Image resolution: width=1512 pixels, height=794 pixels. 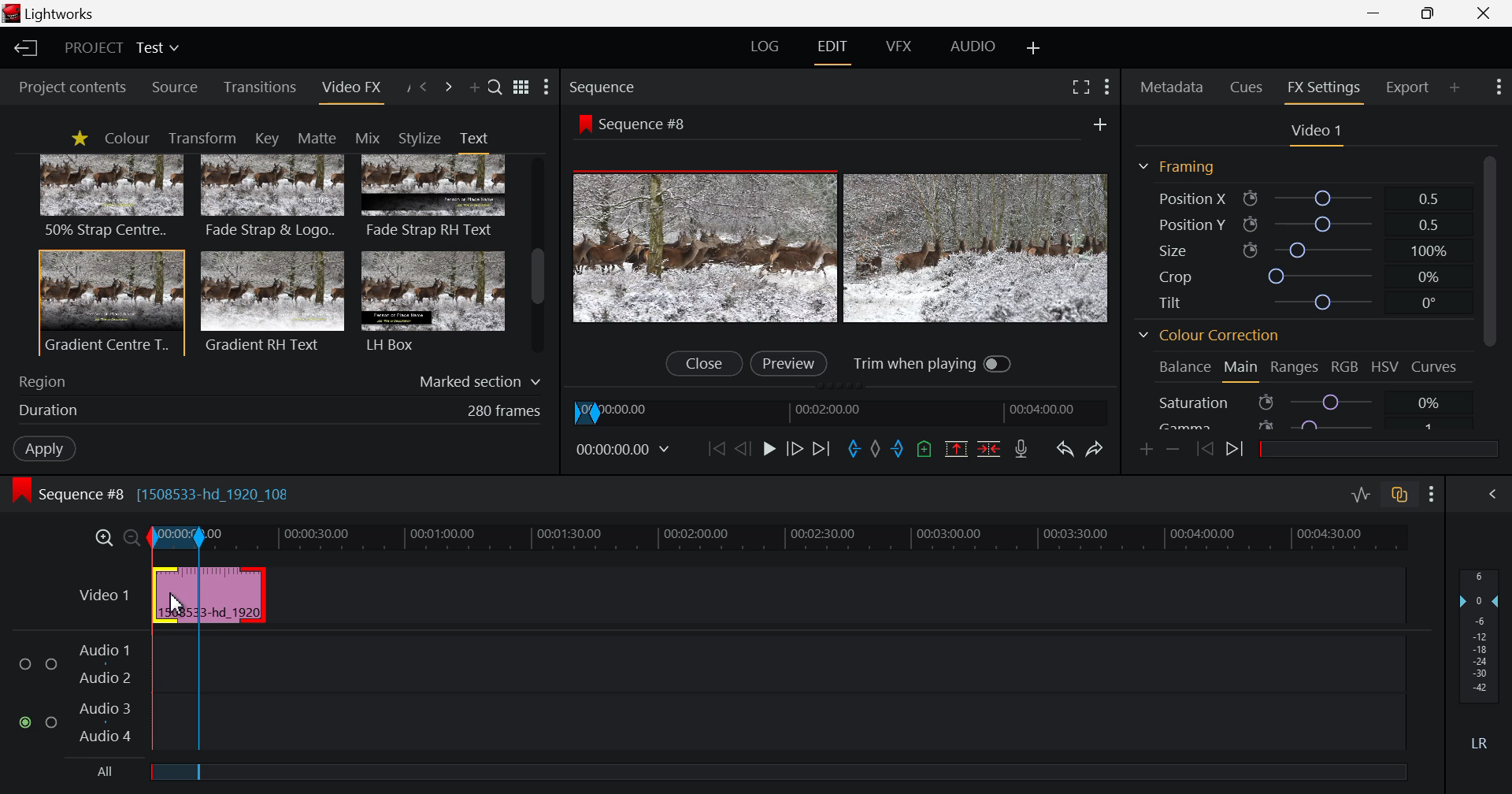 I want to click on Video FX Panel Open, so click(x=354, y=91).